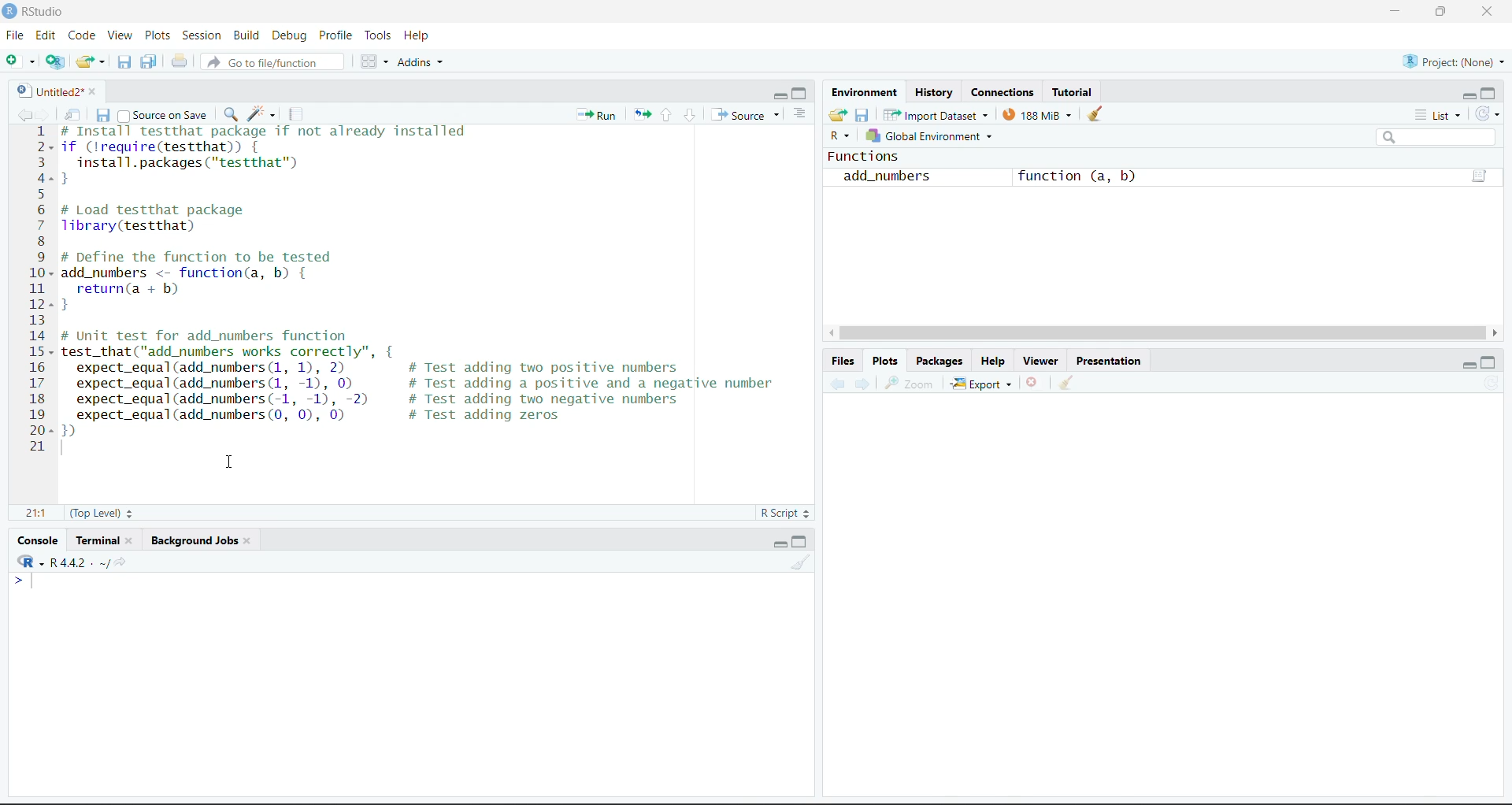 This screenshot has width=1512, height=805. Describe the element at coordinates (159, 35) in the screenshot. I see `Plots` at that location.